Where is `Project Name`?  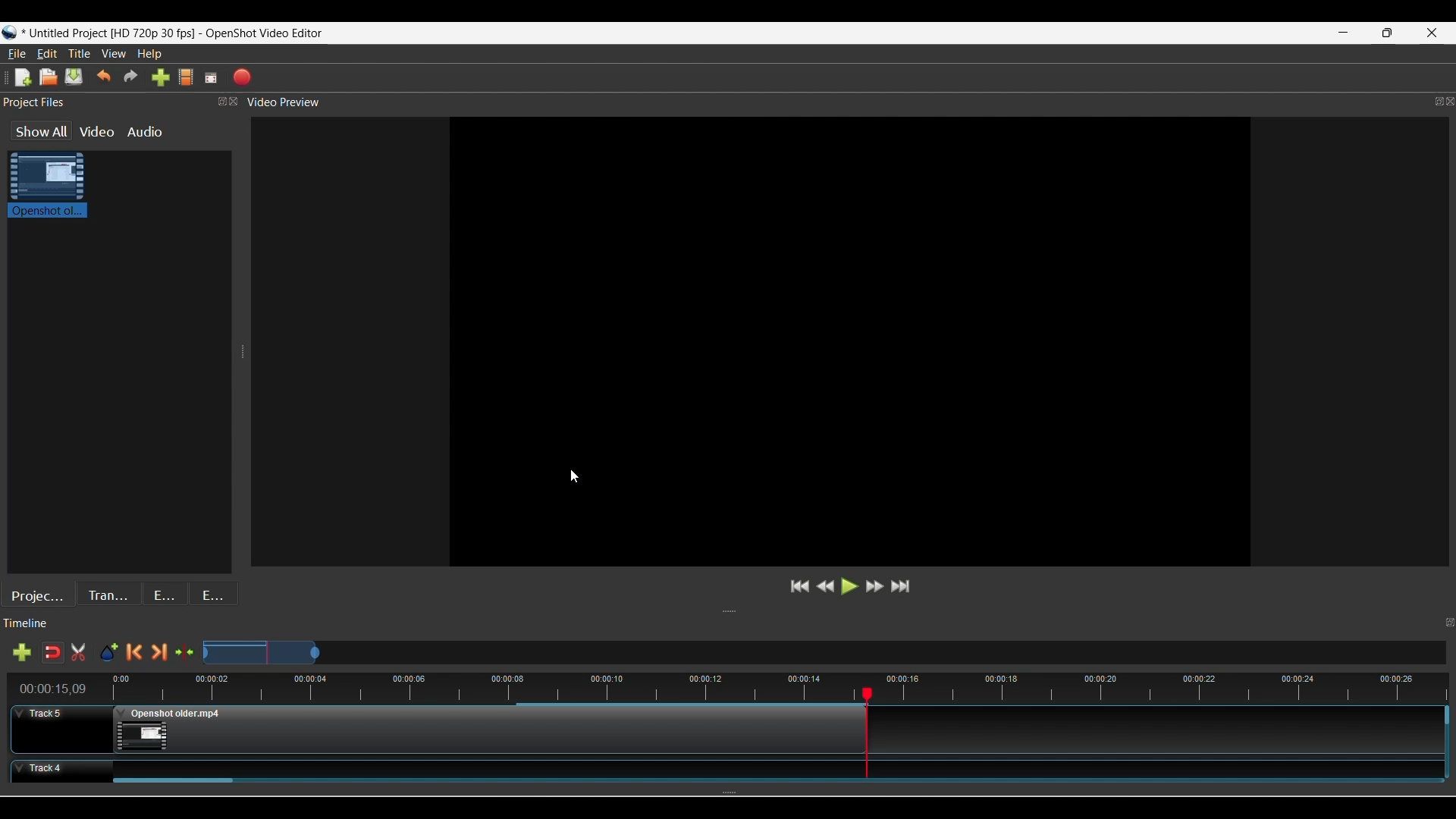
Project Name is located at coordinates (110, 33).